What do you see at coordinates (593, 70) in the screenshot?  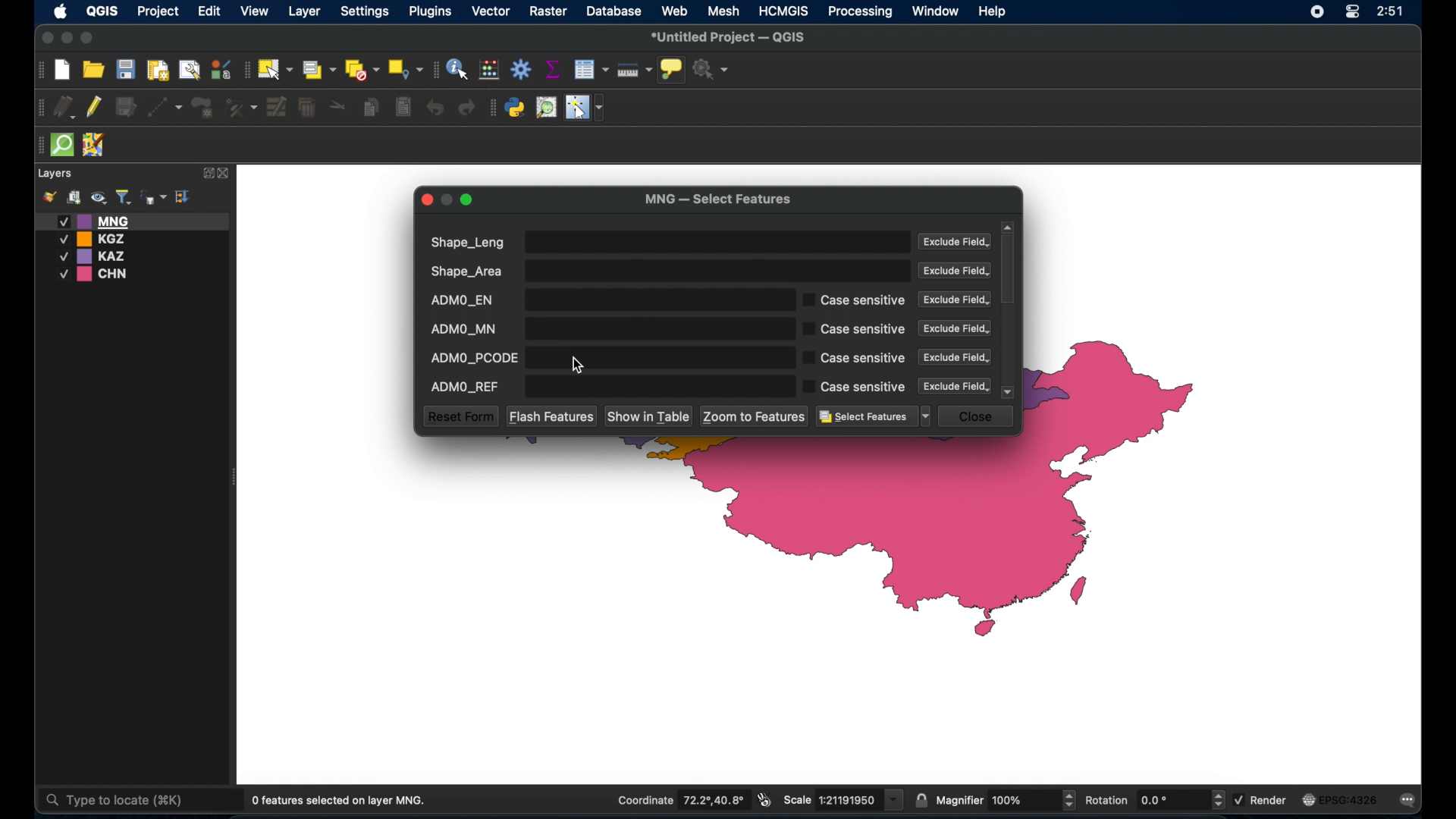 I see `open attribute table` at bounding box center [593, 70].